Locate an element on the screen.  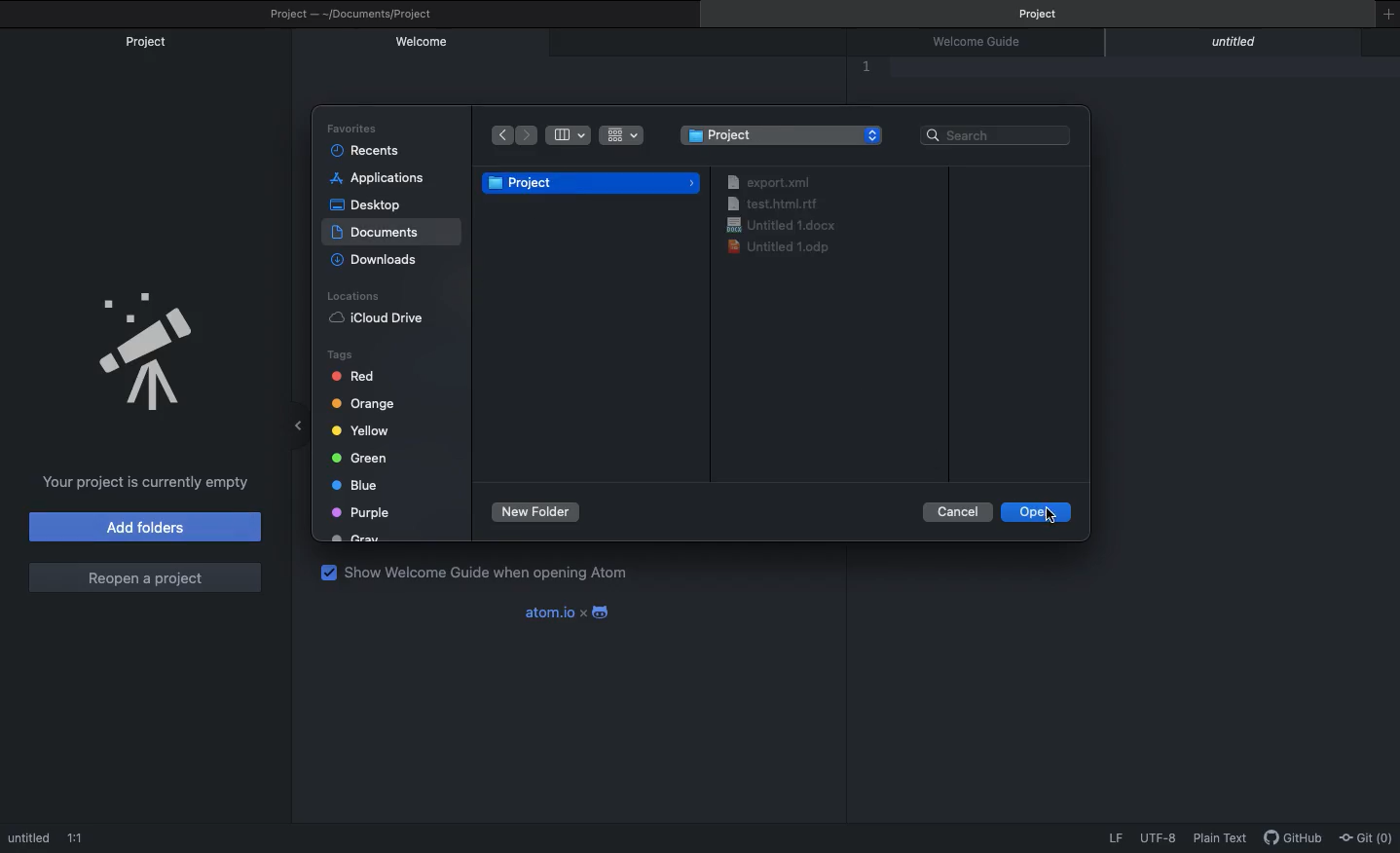
iCloud Drive is located at coordinates (381, 317).